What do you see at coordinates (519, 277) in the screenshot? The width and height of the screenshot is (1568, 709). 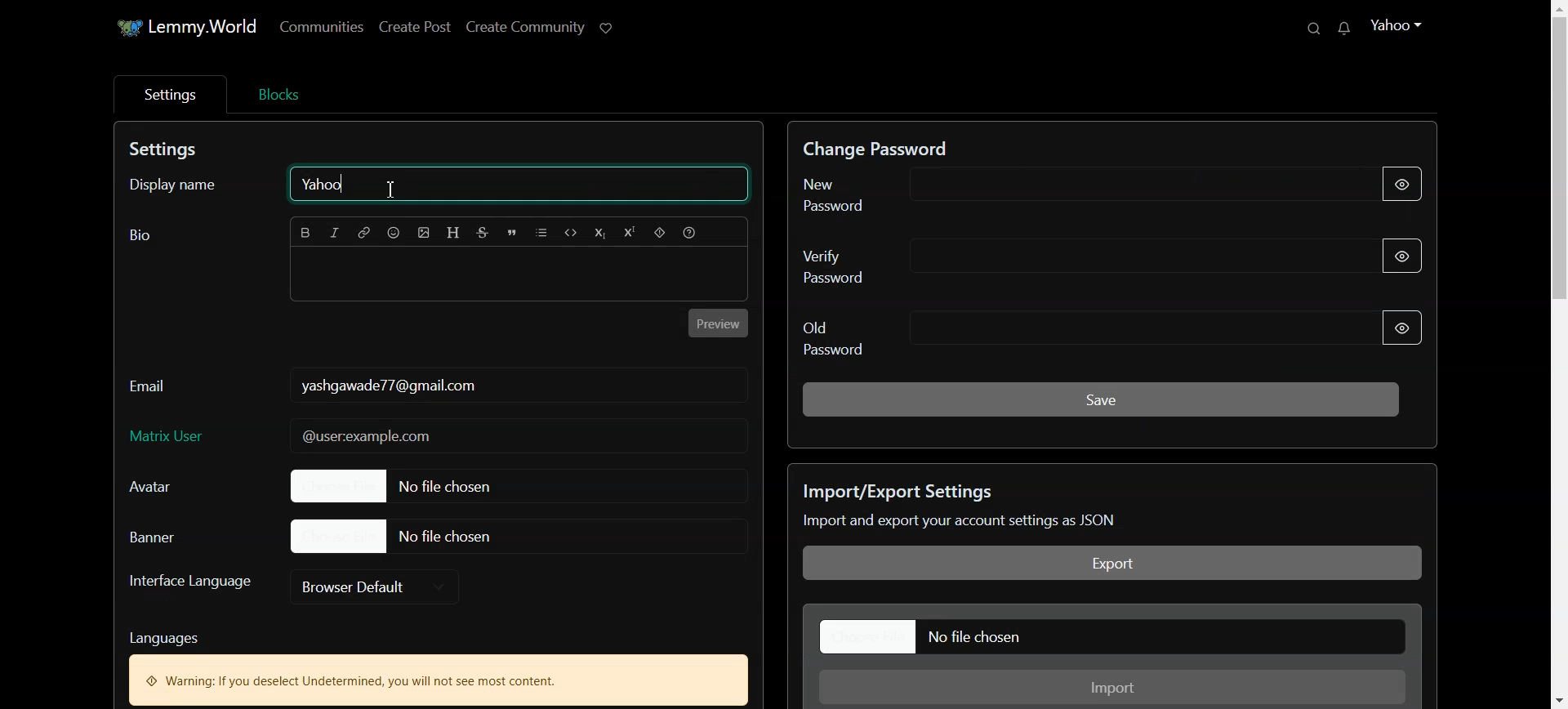 I see `Typing window` at bounding box center [519, 277].